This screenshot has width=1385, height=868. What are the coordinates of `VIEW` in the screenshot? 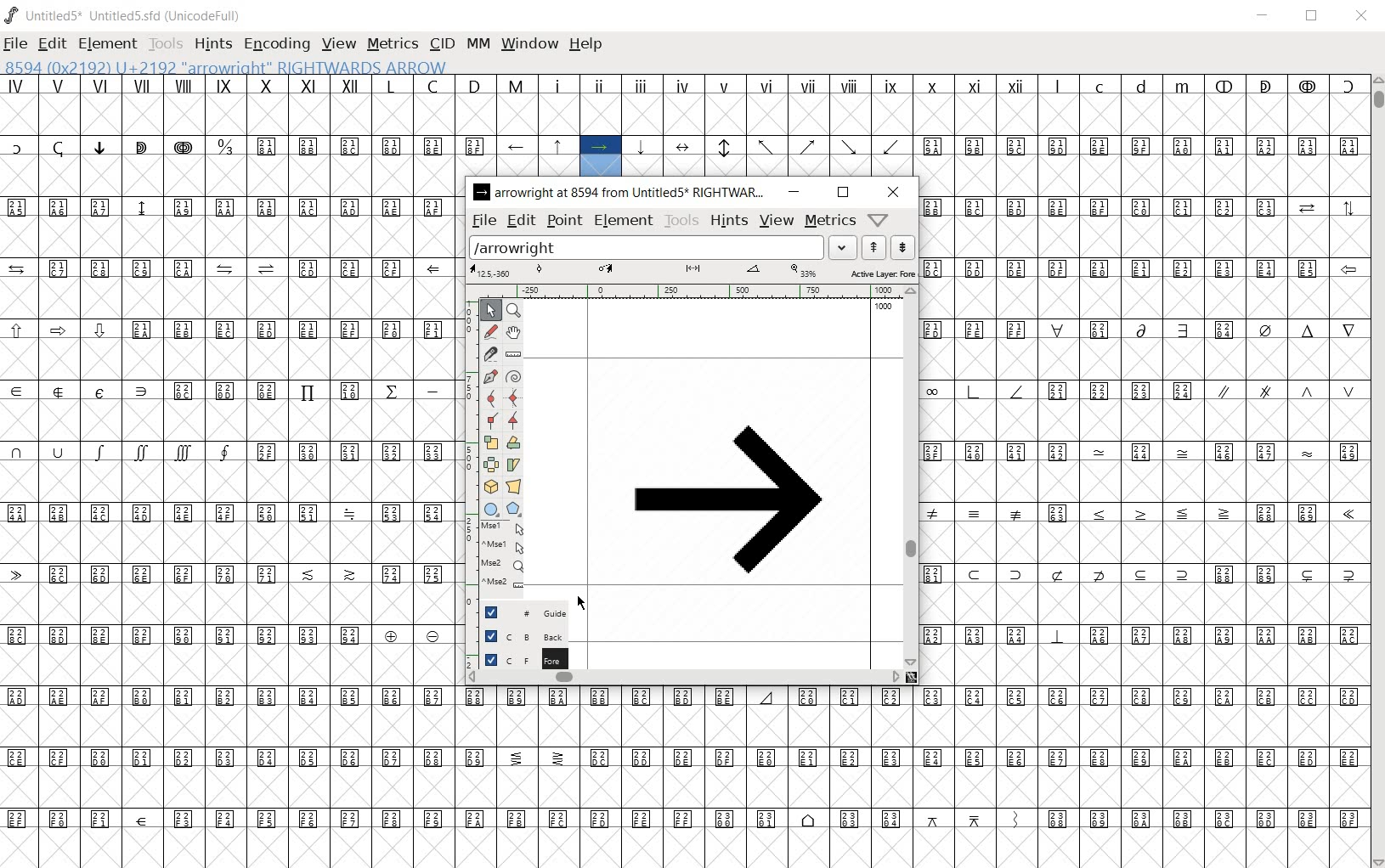 It's located at (337, 44).